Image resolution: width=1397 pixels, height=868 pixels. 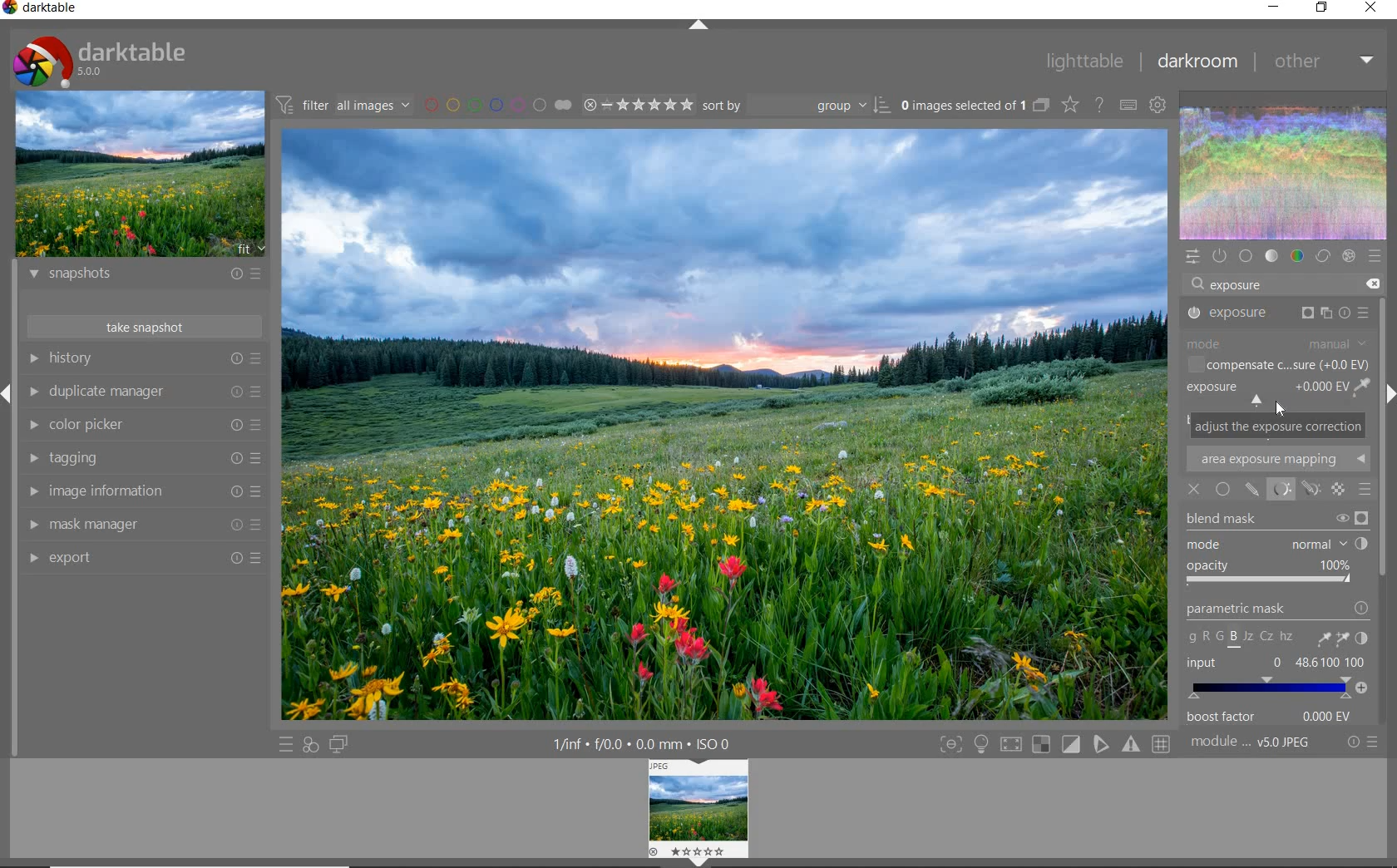 I want to click on filter images based on their modules, so click(x=345, y=104).